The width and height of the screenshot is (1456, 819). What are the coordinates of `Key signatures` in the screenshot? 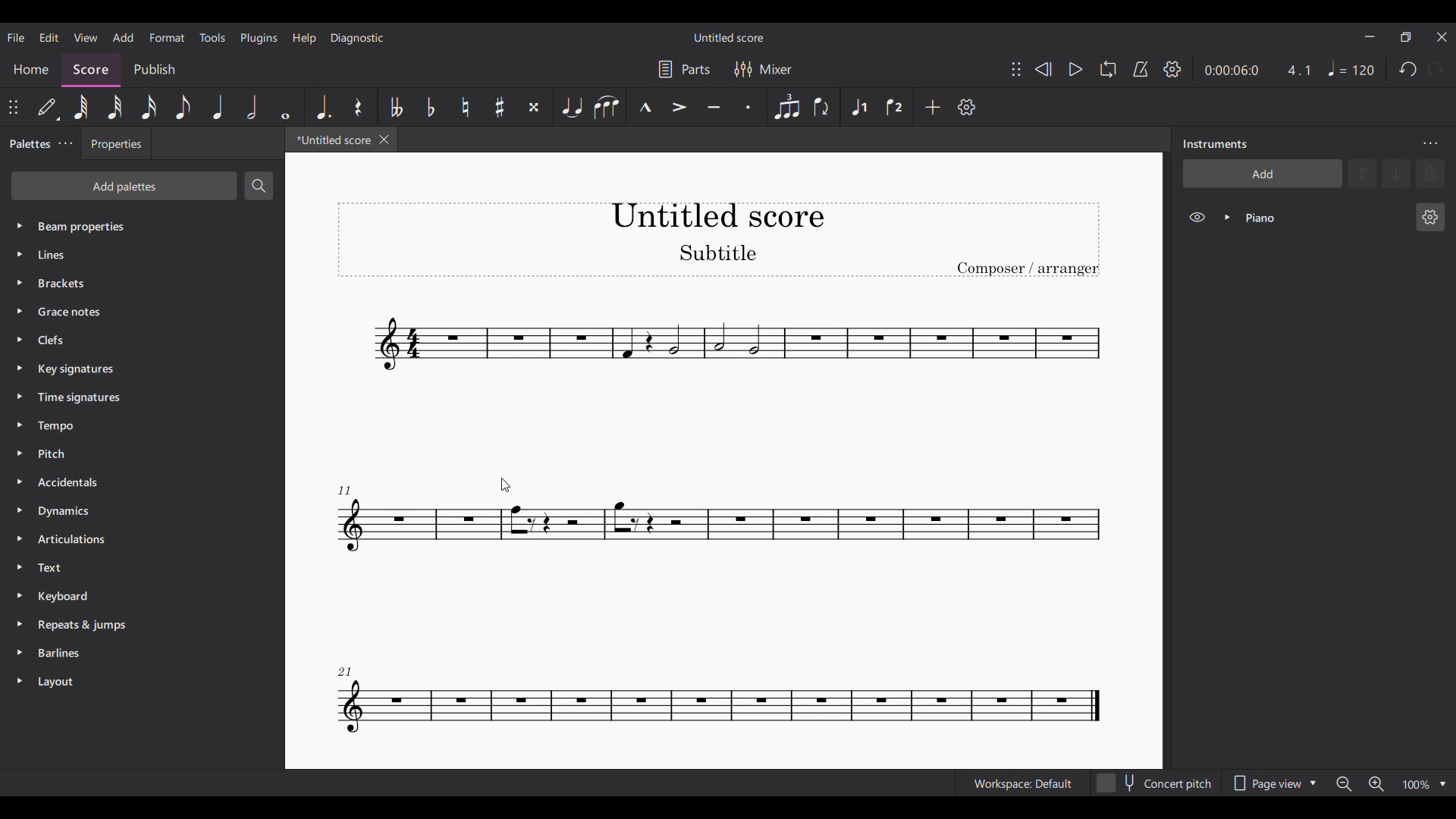 It's located at (140, 370).